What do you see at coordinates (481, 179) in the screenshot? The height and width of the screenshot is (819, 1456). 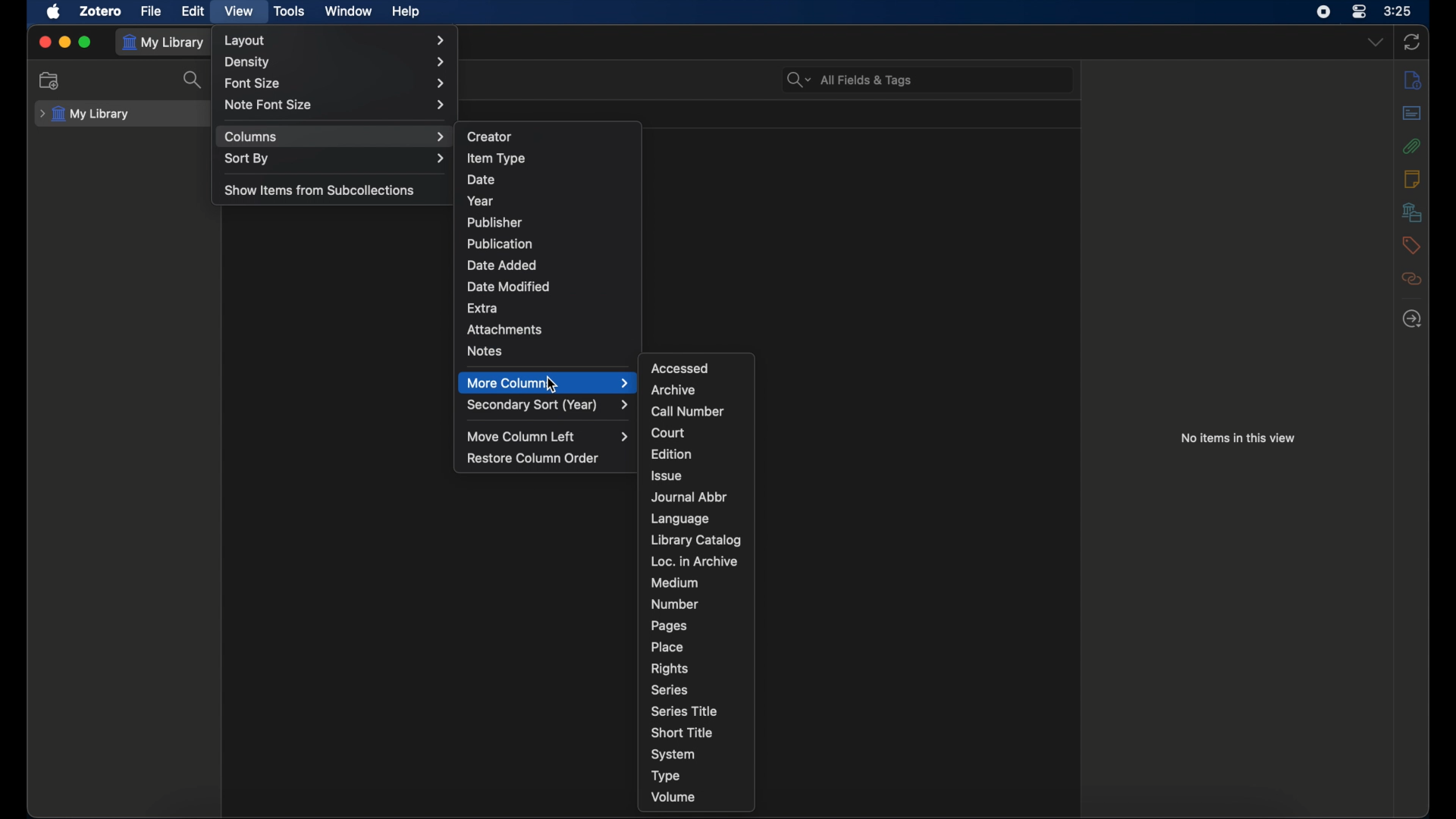 I see `date` at bounding box center [481, 179].